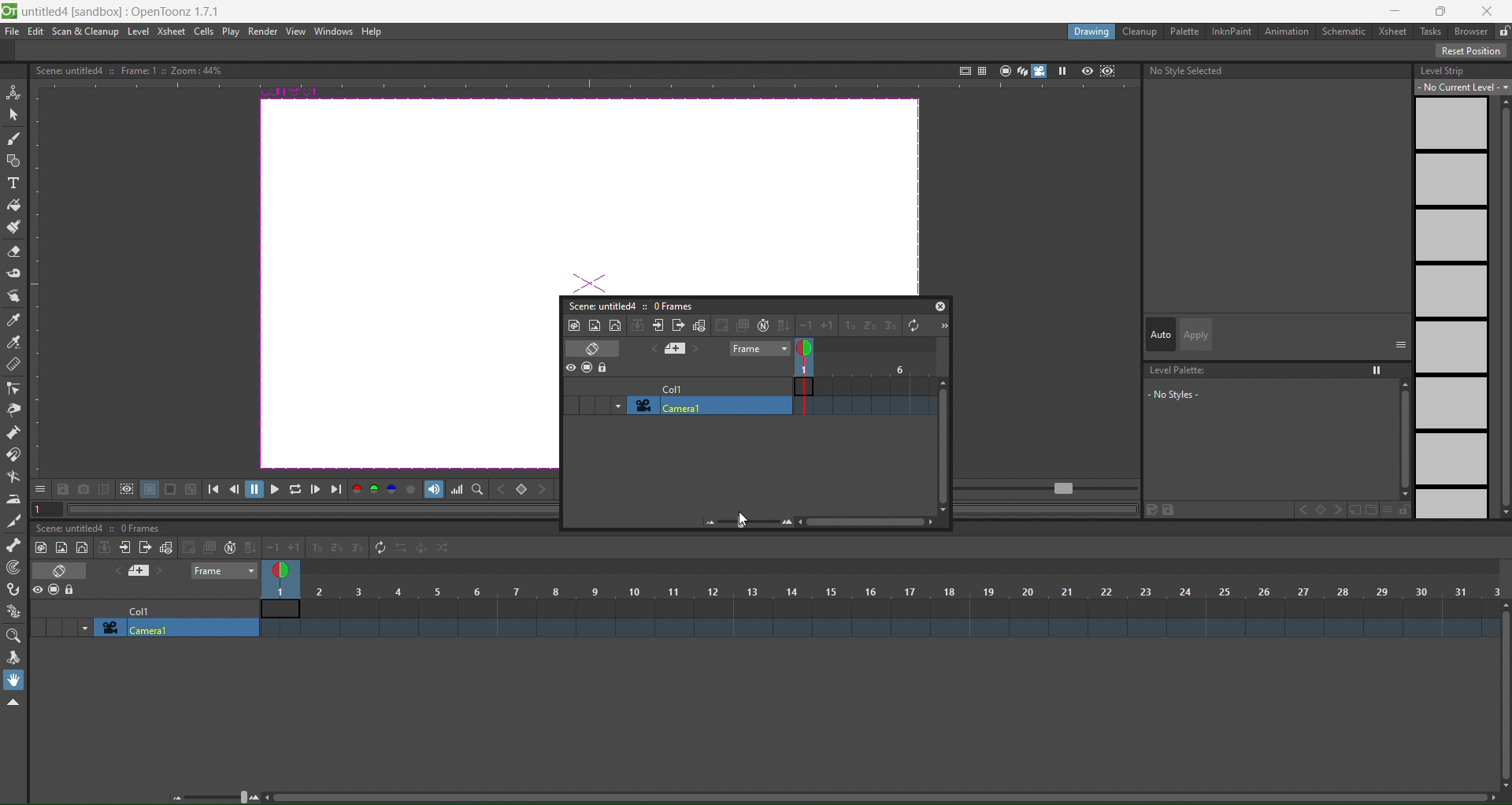  What do you see at coordinates (1394, 11) in the screenshot?
I see `minimize` at bounding box center [1394, 11].